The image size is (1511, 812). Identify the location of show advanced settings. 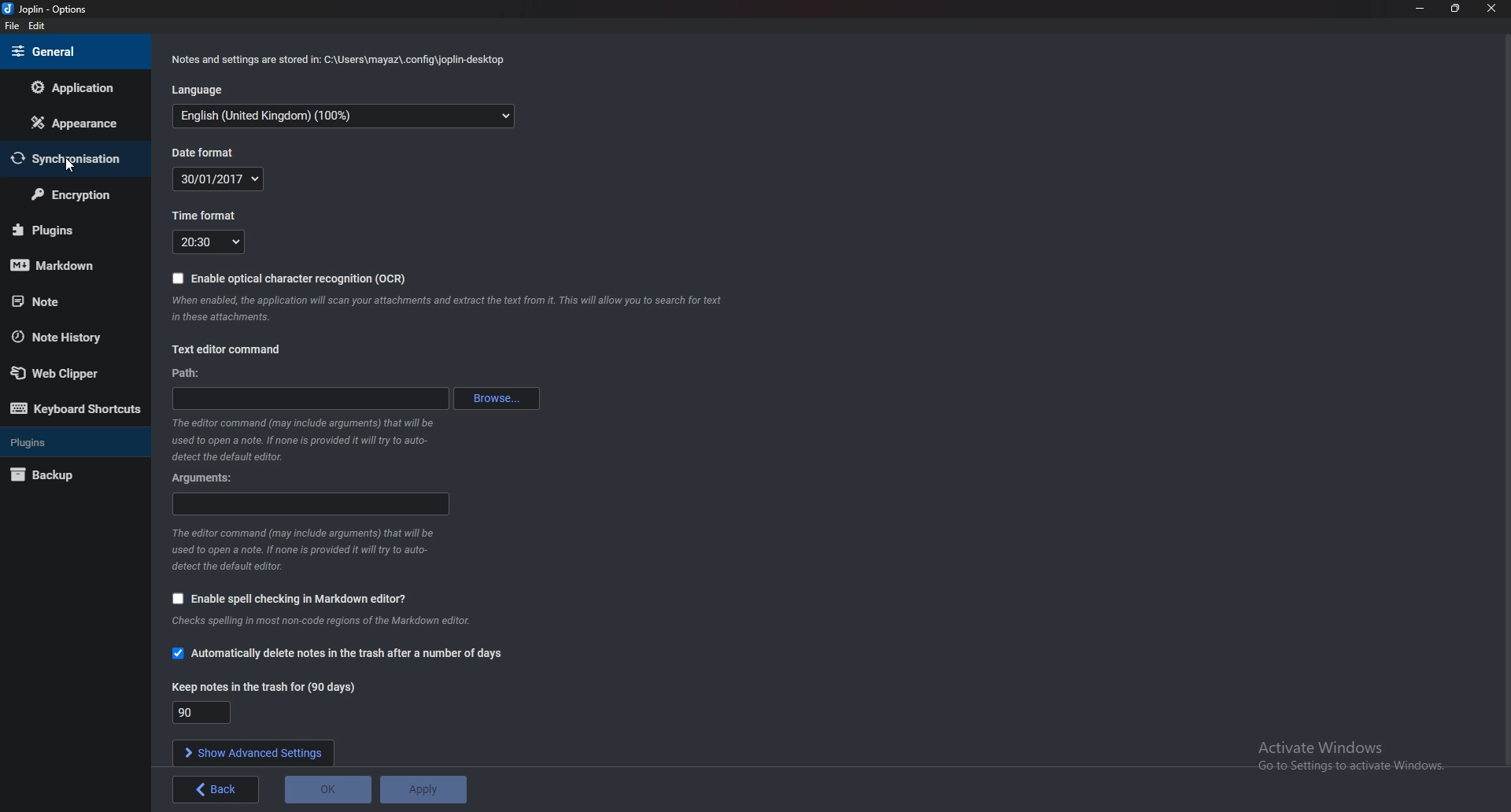
(255, 753).